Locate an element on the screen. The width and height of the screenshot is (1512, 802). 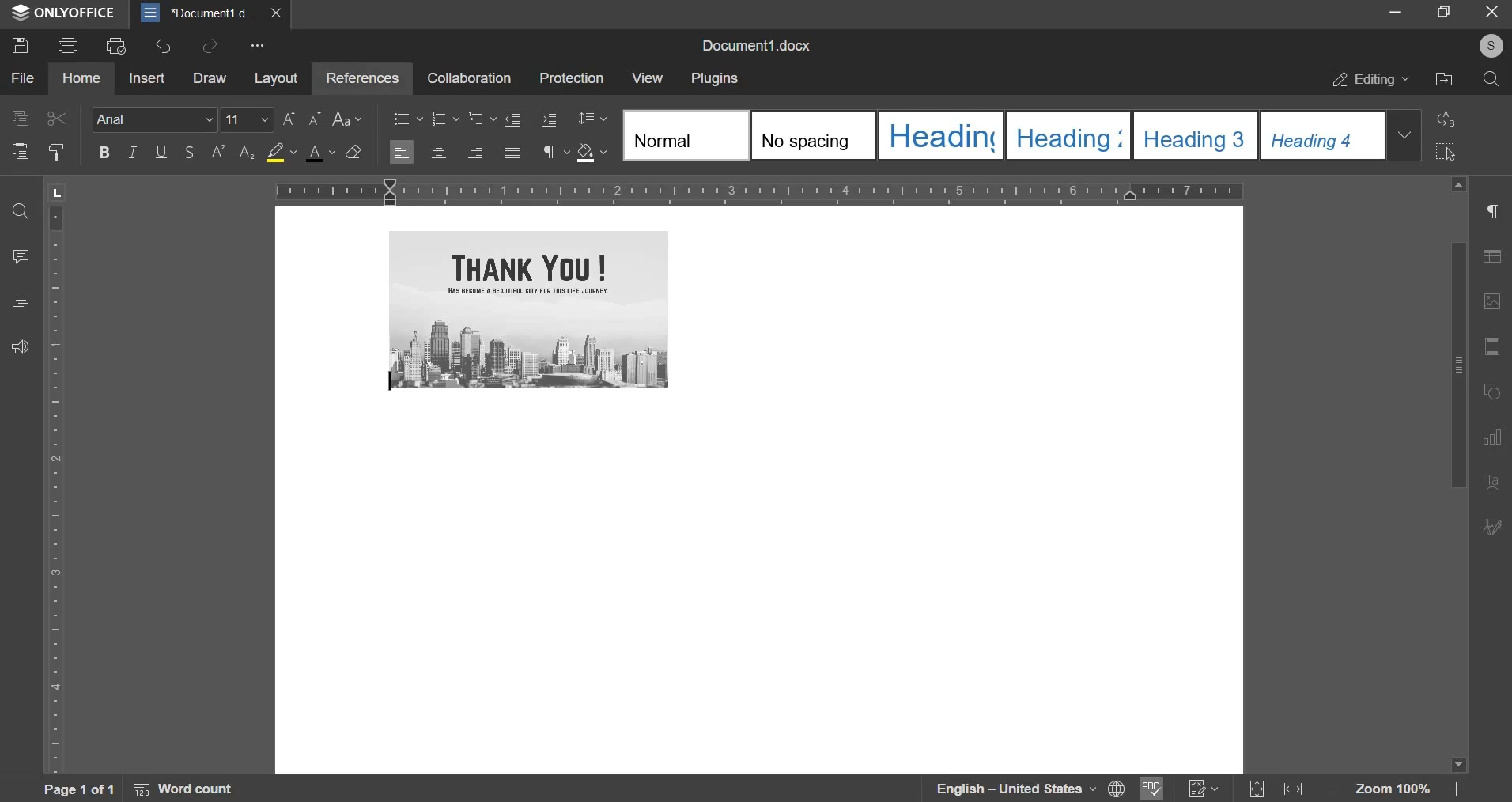
Heading 4 is located at coordinates (1323, 135).